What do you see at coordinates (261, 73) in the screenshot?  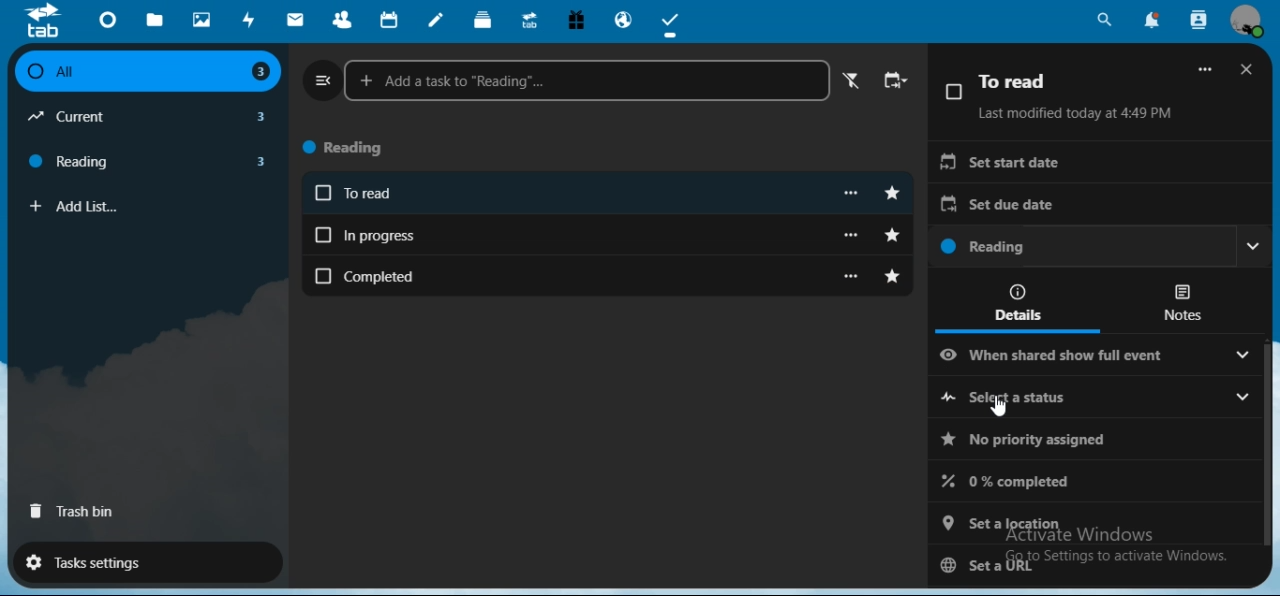 I see `3` at bounding box center [261, 73].